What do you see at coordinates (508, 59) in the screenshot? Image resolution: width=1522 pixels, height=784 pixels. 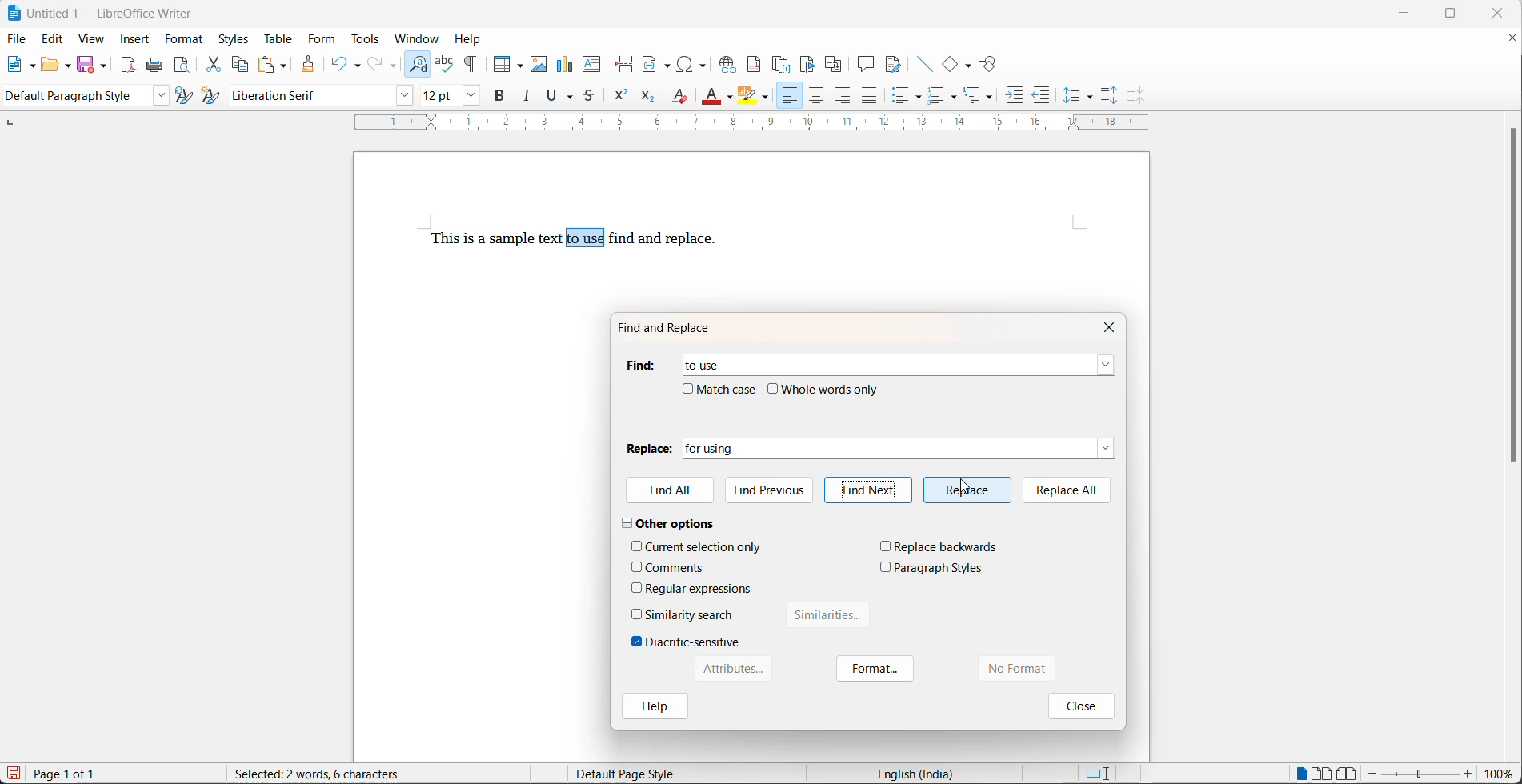 I see `insert table` at bounding box center [508, 59].